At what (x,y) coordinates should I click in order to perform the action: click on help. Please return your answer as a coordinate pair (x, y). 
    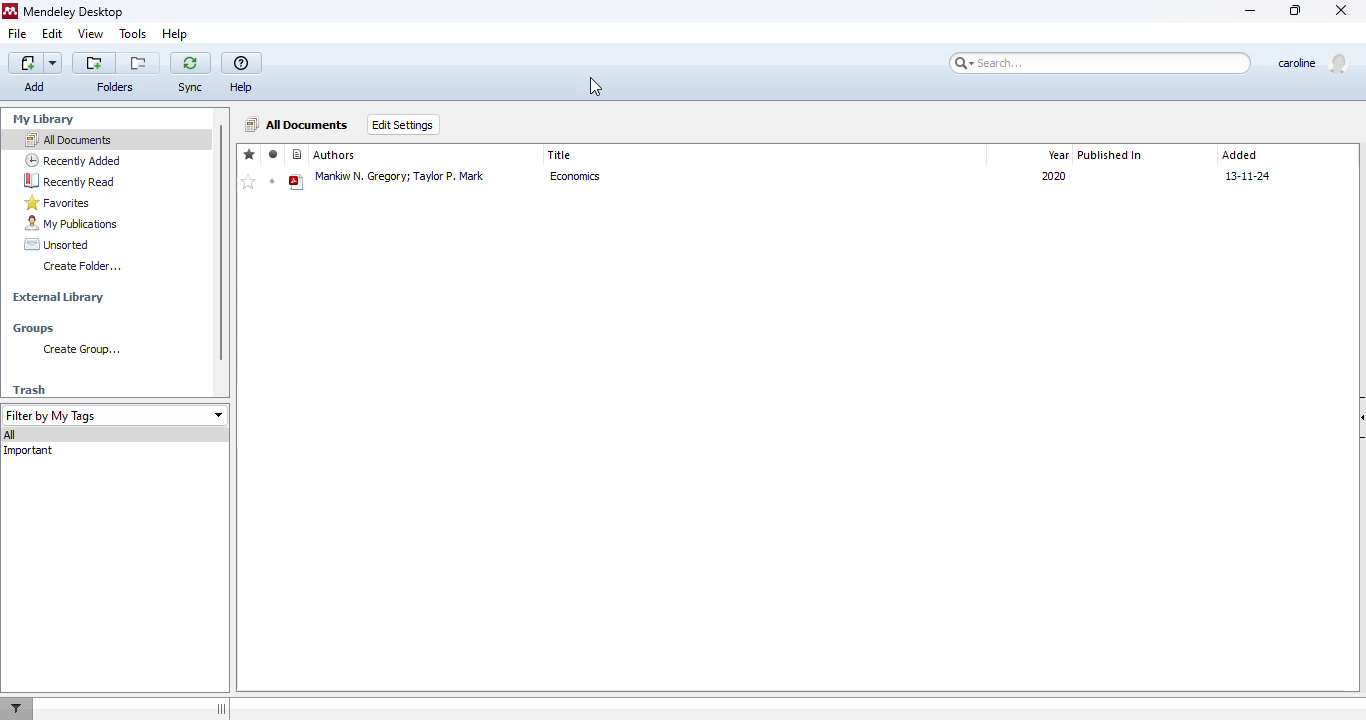
    Looking at the image, I should click on (241, 87).